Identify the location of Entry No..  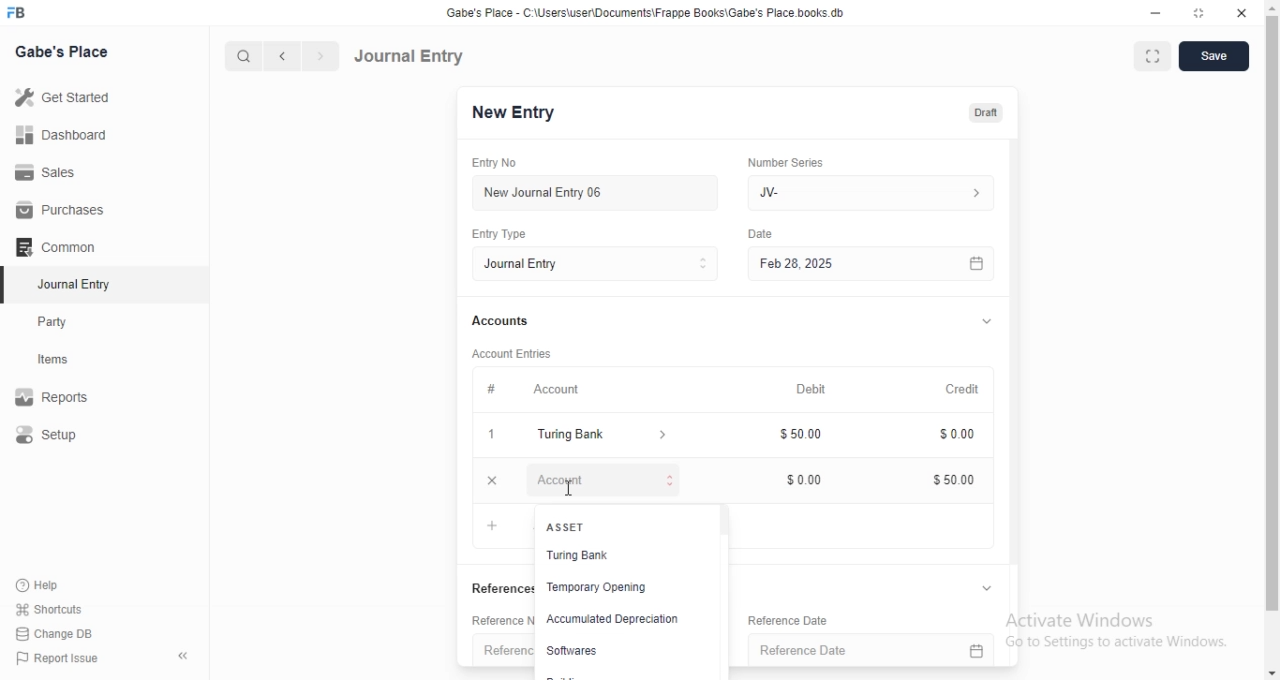
(508, 163).